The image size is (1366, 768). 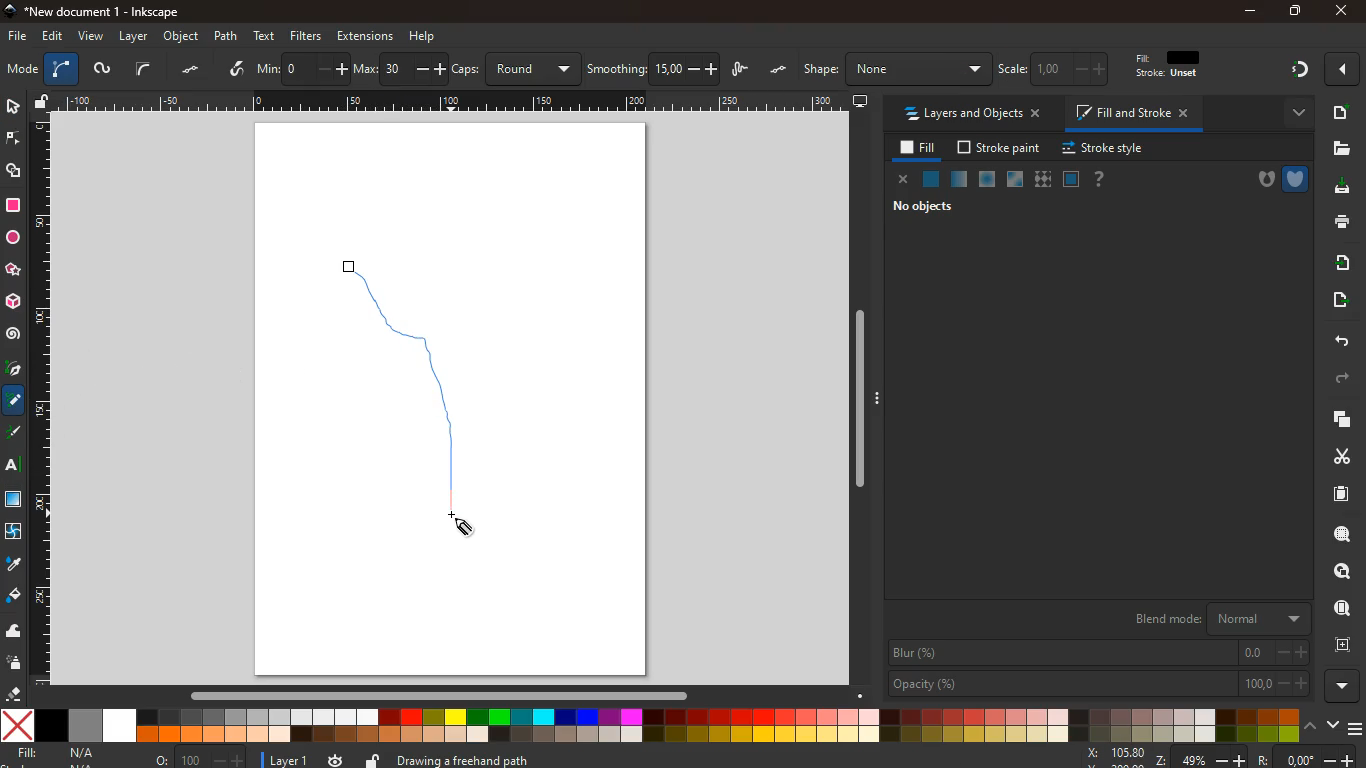 What do you see at coordinates (895, 69) in the screenshot?
I see `h` at bounding box center [895, 69].